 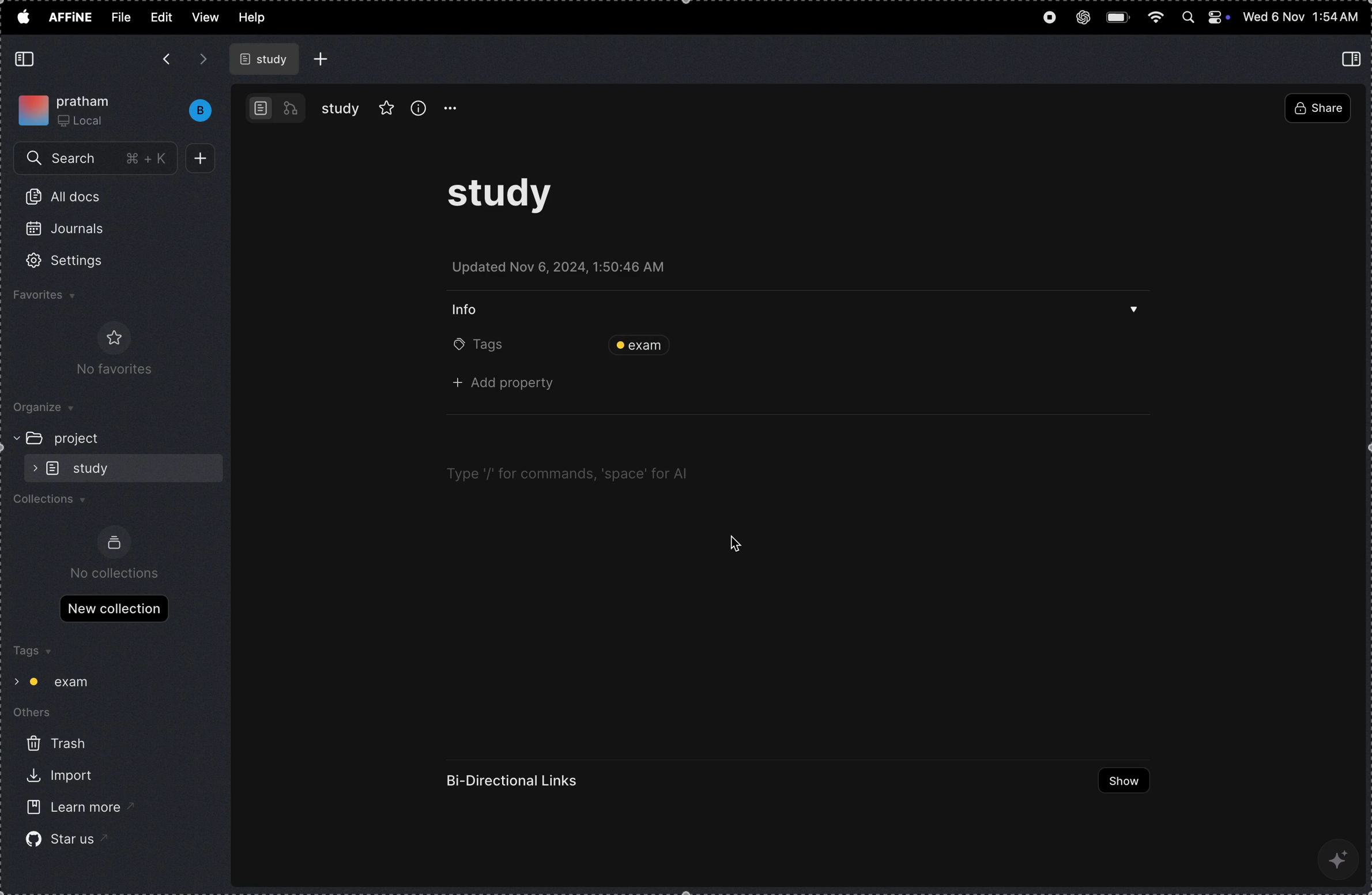 I want to click on study task, so click(x=510, y=200).